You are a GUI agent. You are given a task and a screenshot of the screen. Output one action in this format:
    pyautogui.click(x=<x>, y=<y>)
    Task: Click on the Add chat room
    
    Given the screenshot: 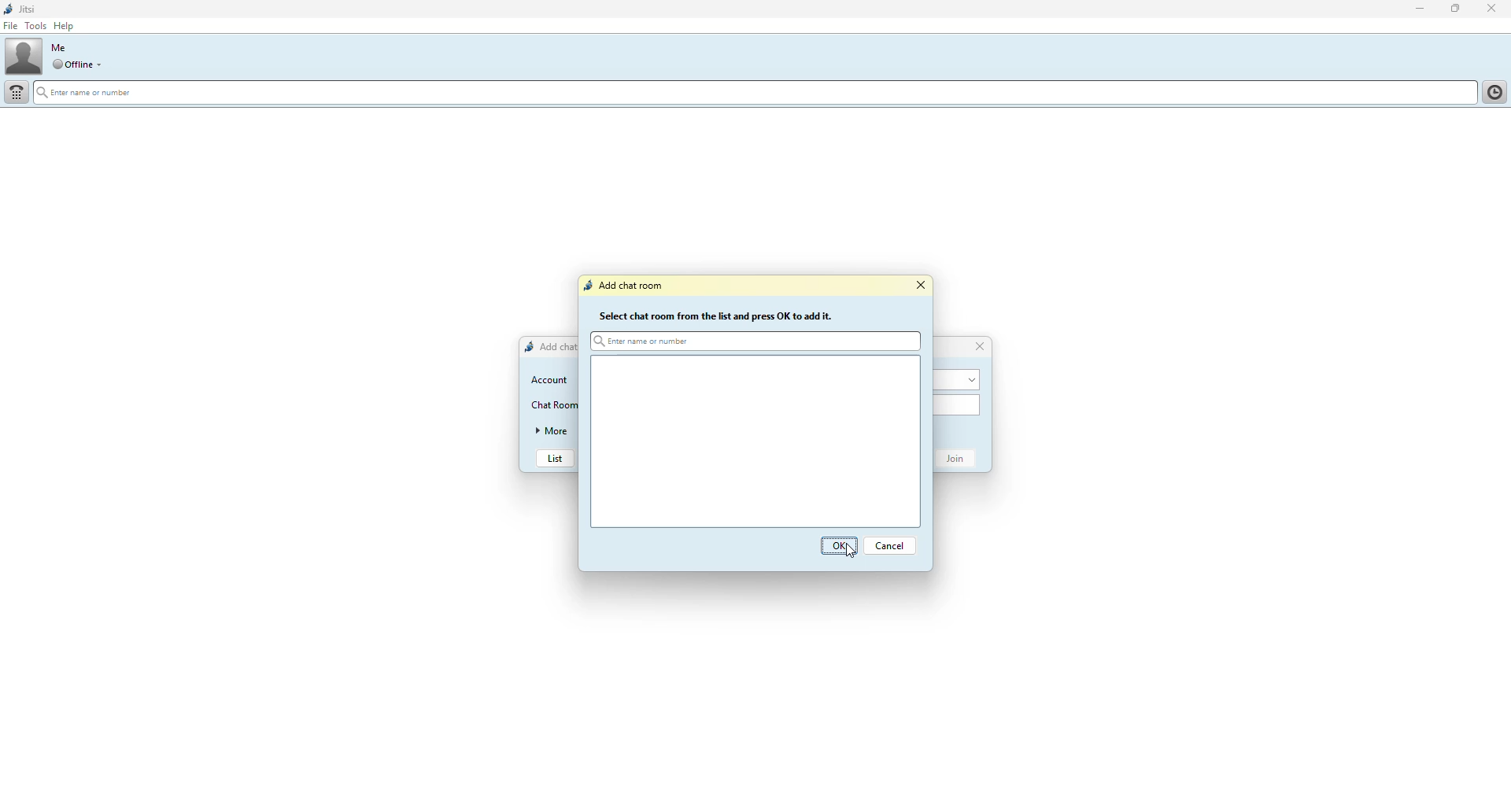 What is the action you would take?
    pyautogui.click(x=629, y=282)
    